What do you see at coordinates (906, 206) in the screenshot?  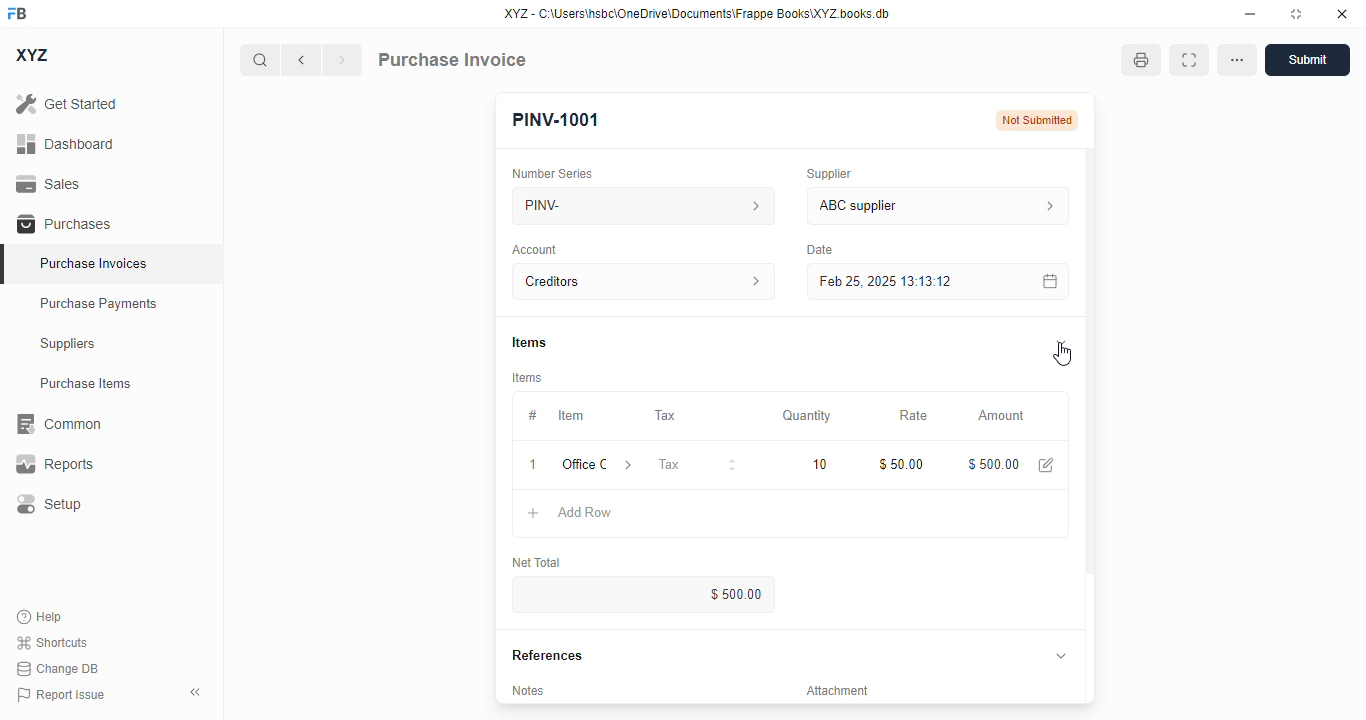 I see `ABC supplier` at bounding box center [906, 206].